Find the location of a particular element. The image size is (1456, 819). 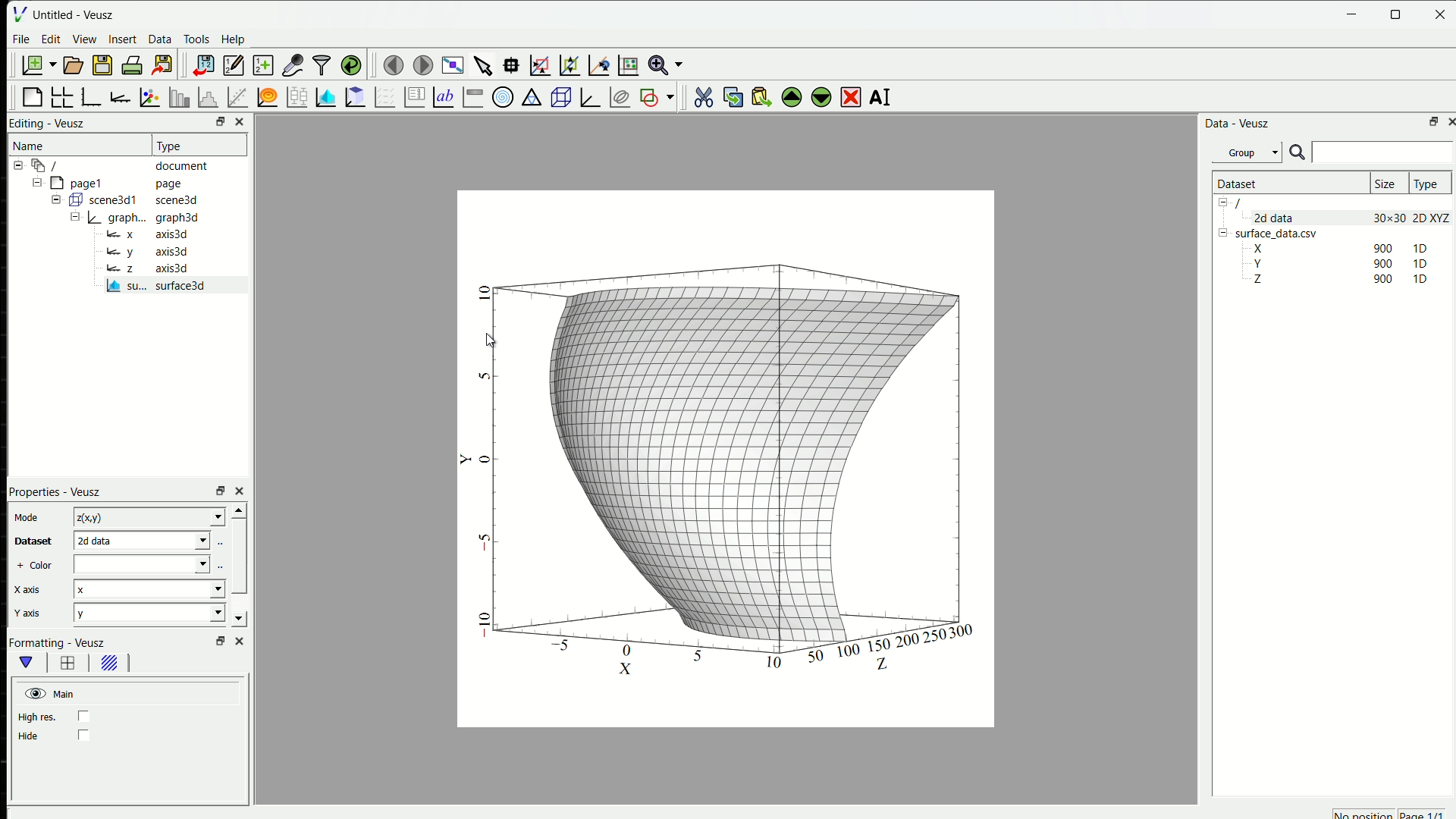

scene3d is located at coordinates (177, 201).